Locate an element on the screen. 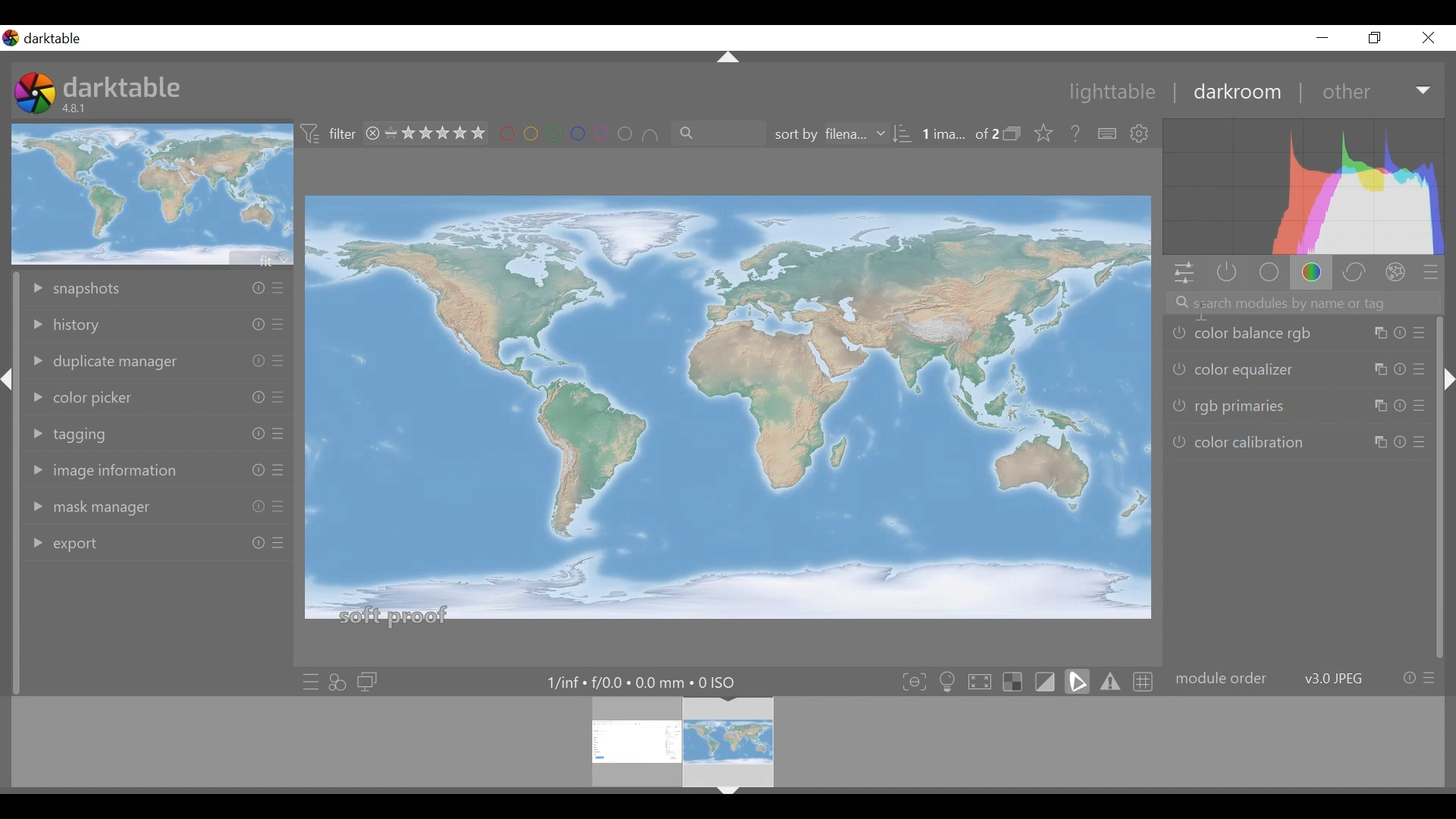  quick access panel is located at coordinates (1181, 275).